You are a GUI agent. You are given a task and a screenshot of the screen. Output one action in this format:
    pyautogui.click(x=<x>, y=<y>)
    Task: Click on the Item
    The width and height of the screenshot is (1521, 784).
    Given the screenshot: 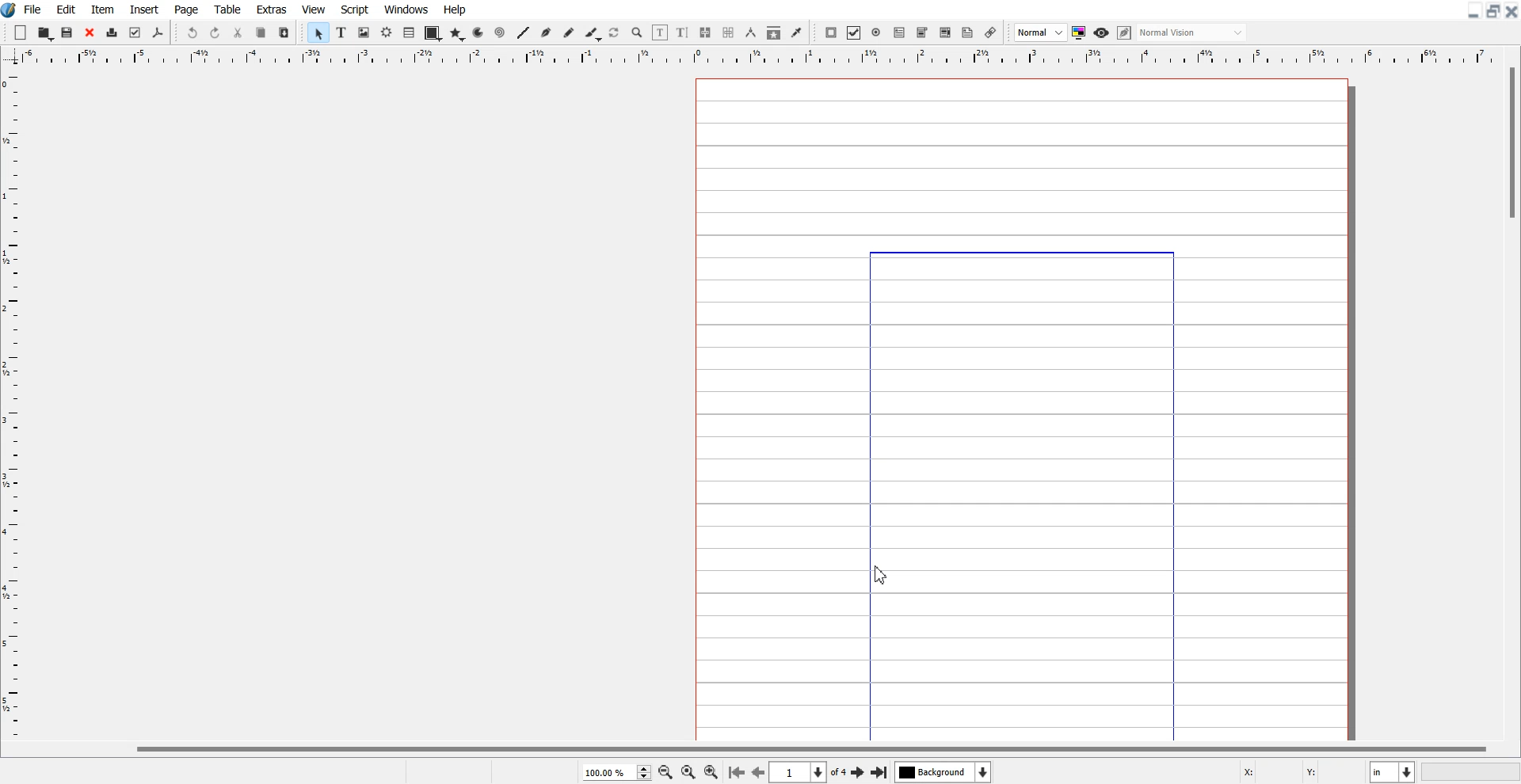 What is the action you would take?
    pyautogui.click(x=101, y=10)
    